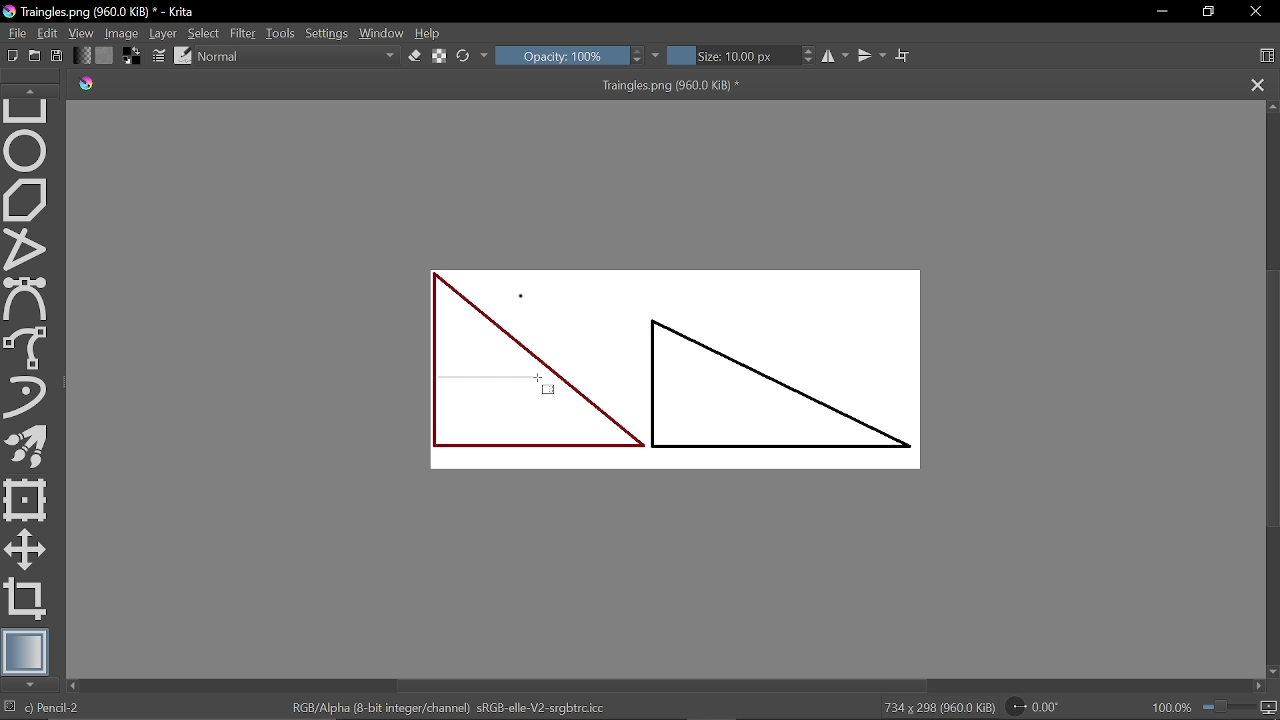 The width and height of the screenshot is (1280, 720). I want to click on Vertical mirror, so click(872, 58).